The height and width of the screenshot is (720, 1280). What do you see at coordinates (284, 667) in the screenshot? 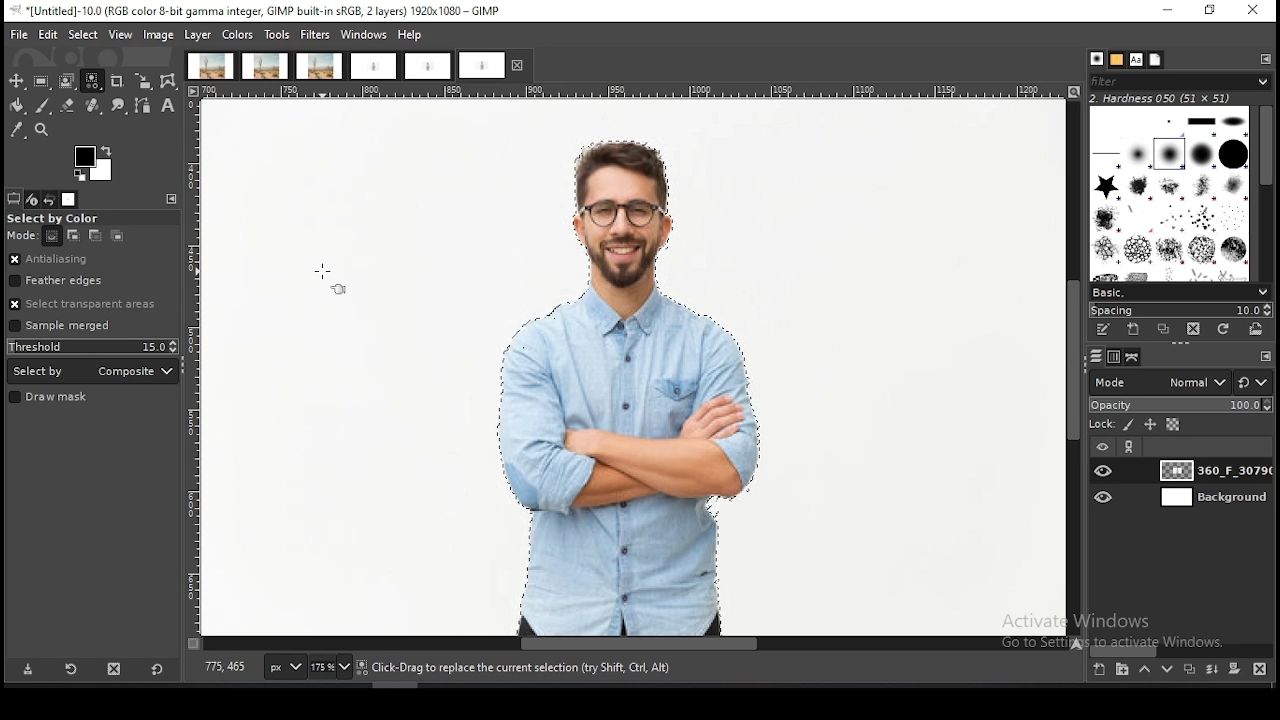
I see `units` at bounding box center [284, 667].